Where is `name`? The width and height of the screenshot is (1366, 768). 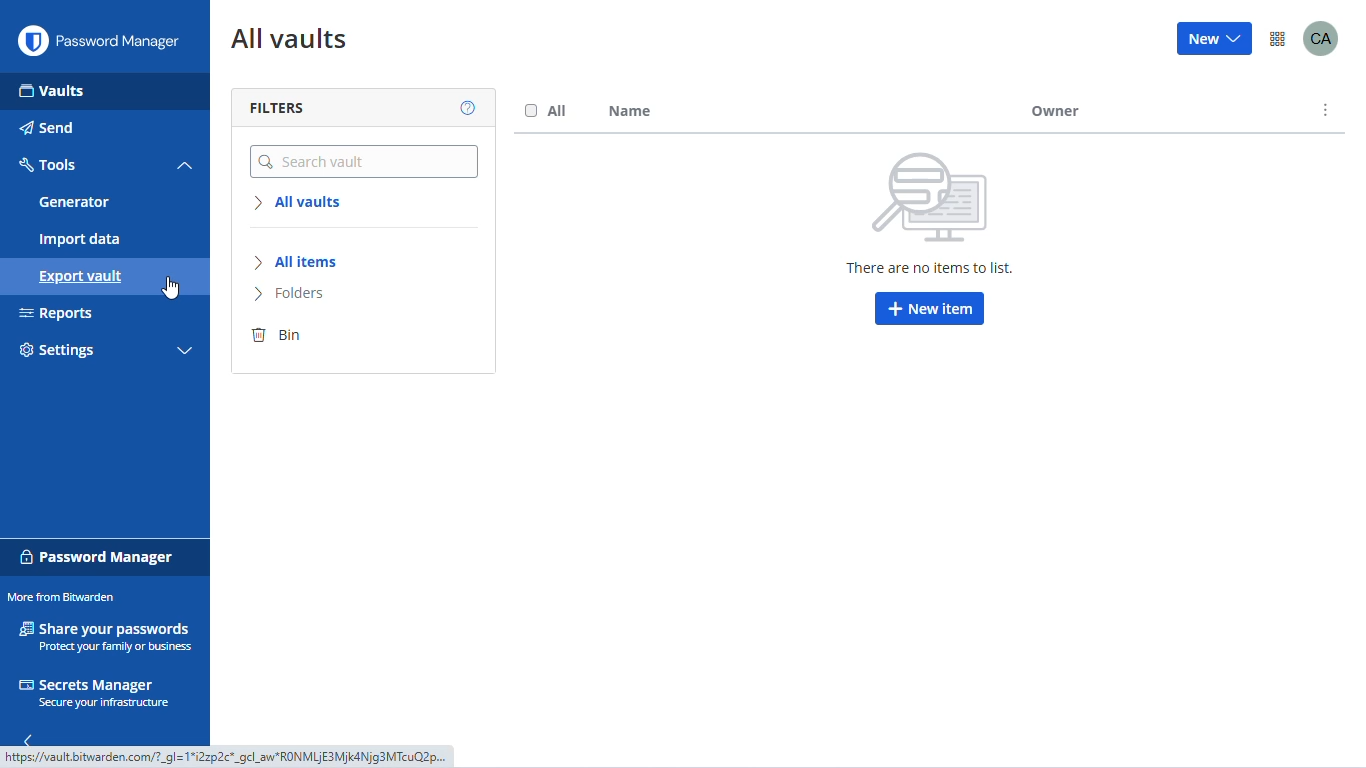
name is located at coordinates (630, 111).